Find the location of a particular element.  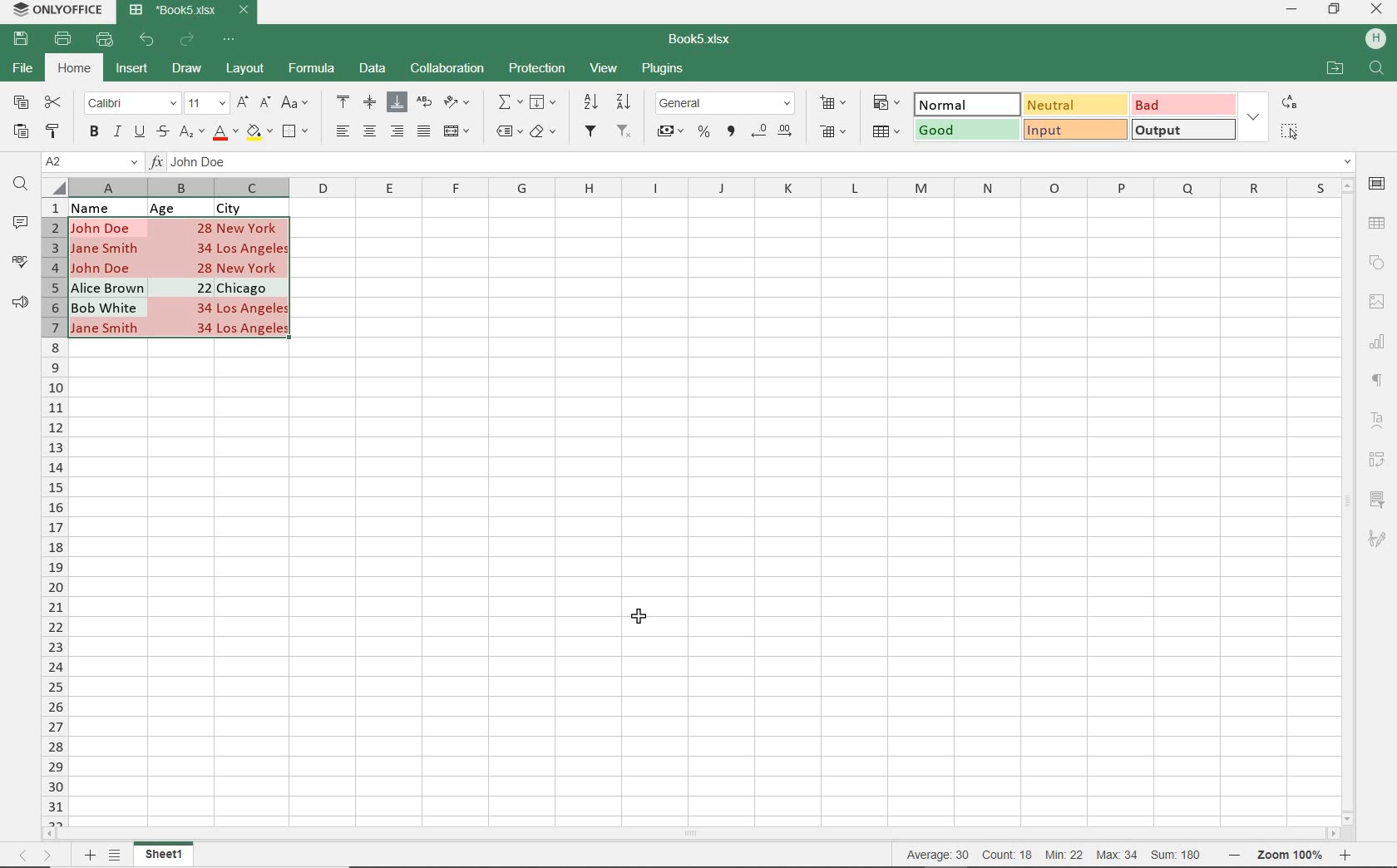

FIND is located at coordinates (21, 185).